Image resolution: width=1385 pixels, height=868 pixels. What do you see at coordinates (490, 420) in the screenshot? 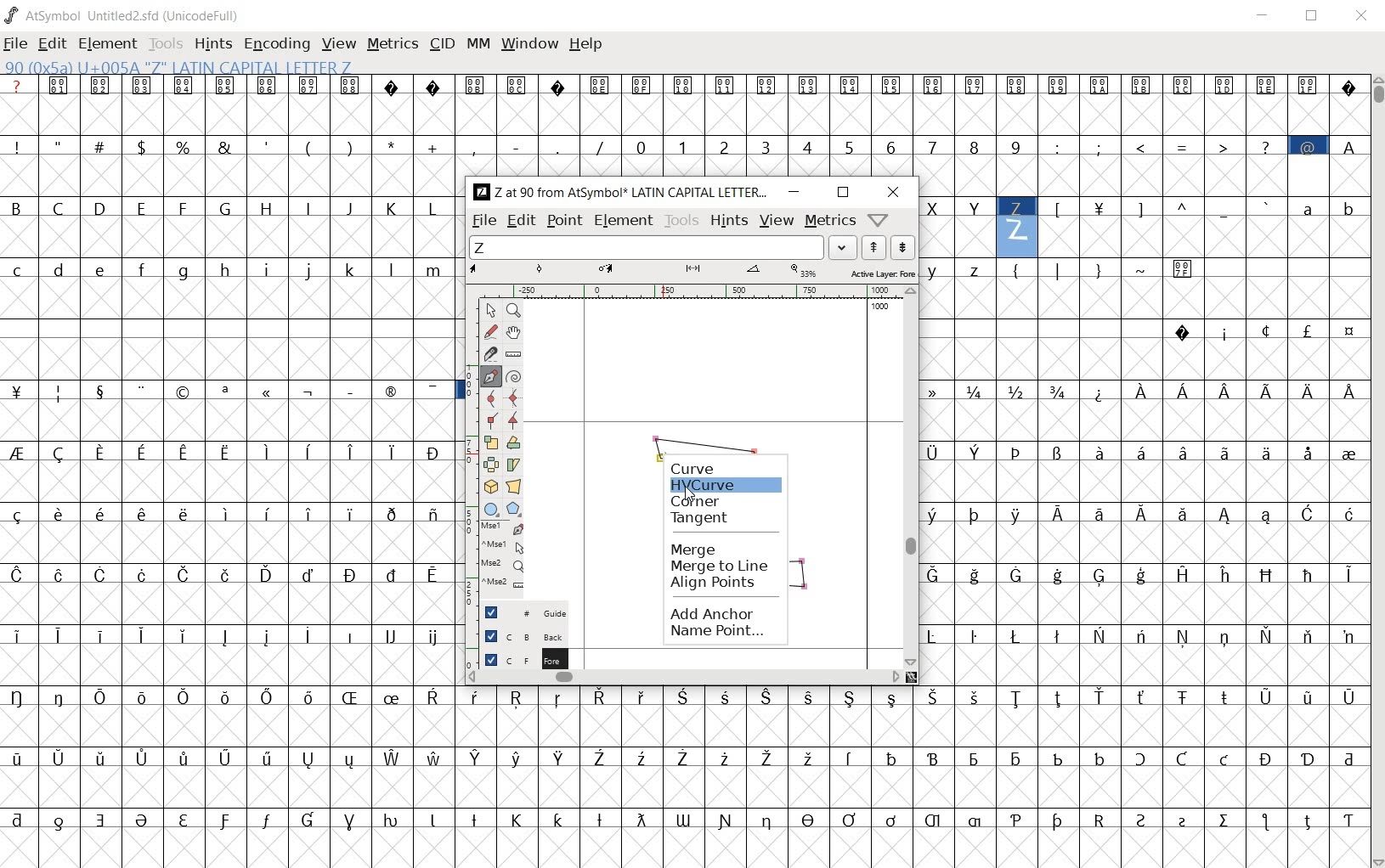
I see `Add a corner point` at bounding box center [490, 420].